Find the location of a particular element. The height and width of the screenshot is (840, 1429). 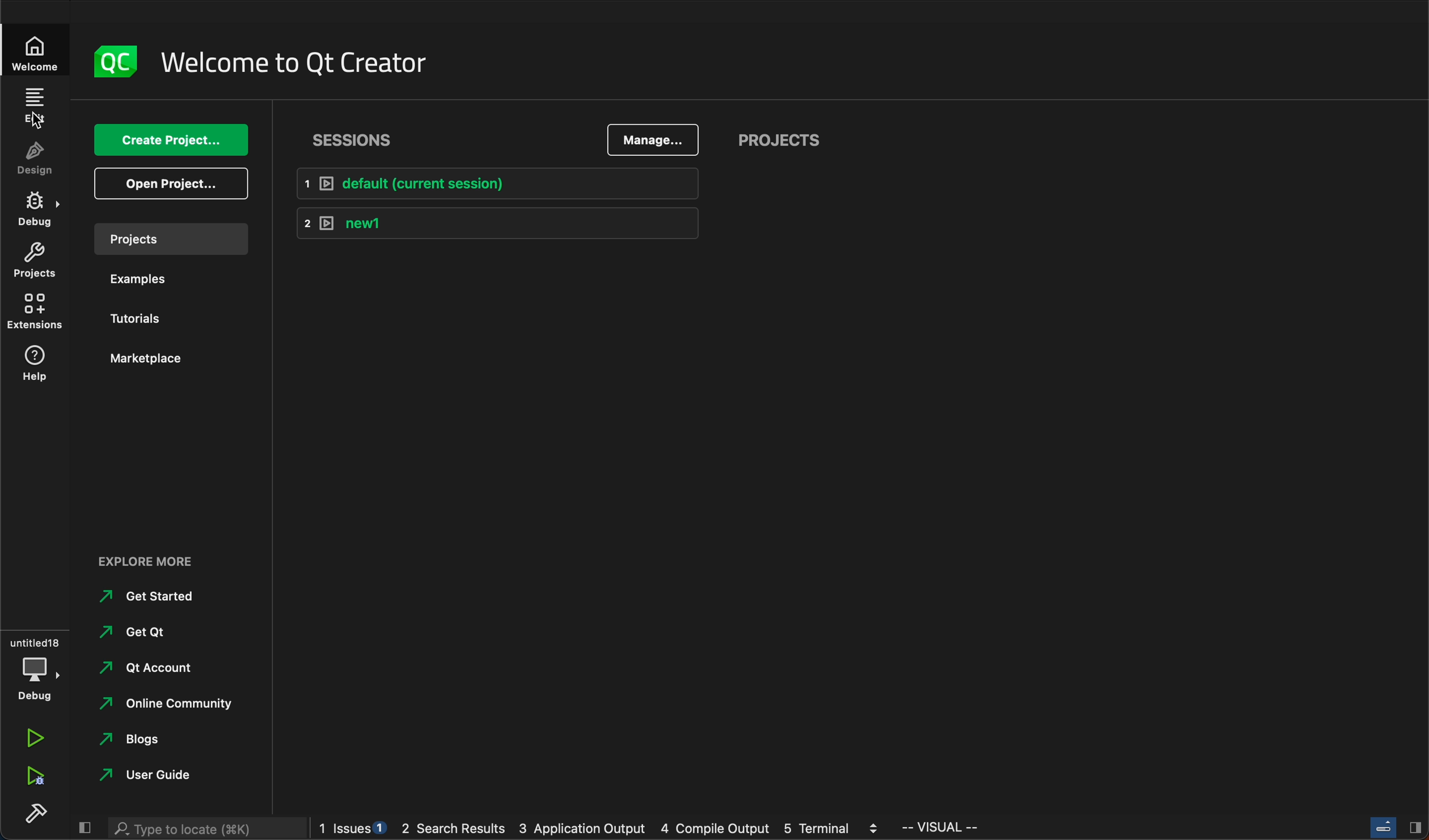

help is located at coordinates (38, 367).